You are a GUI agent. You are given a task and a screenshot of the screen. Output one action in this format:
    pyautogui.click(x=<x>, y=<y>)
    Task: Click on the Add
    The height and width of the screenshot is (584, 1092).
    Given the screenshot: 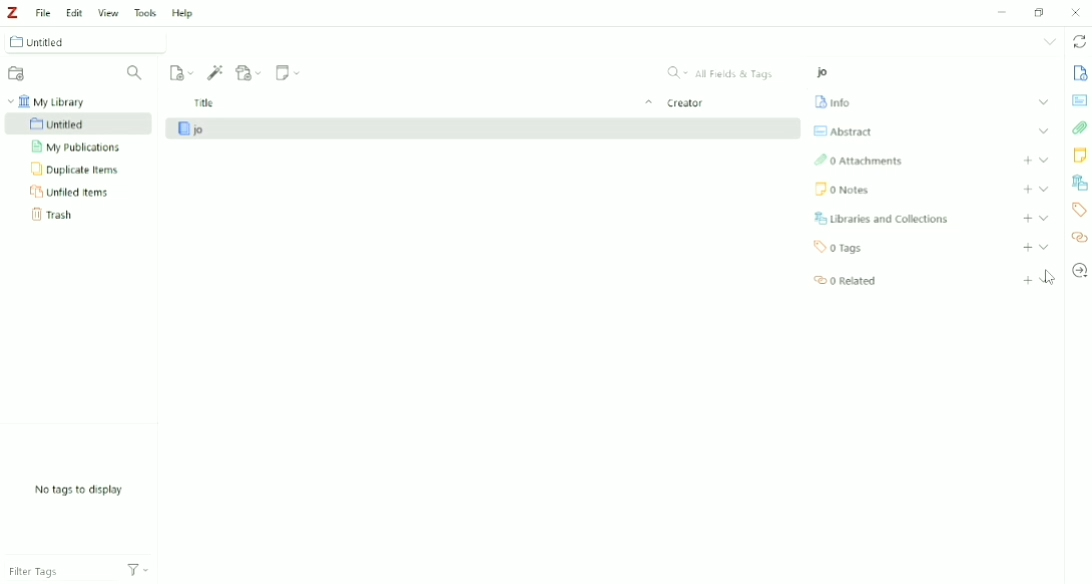 What is the action you would take?
    pyautogui.click(x=1027, y=279)
    